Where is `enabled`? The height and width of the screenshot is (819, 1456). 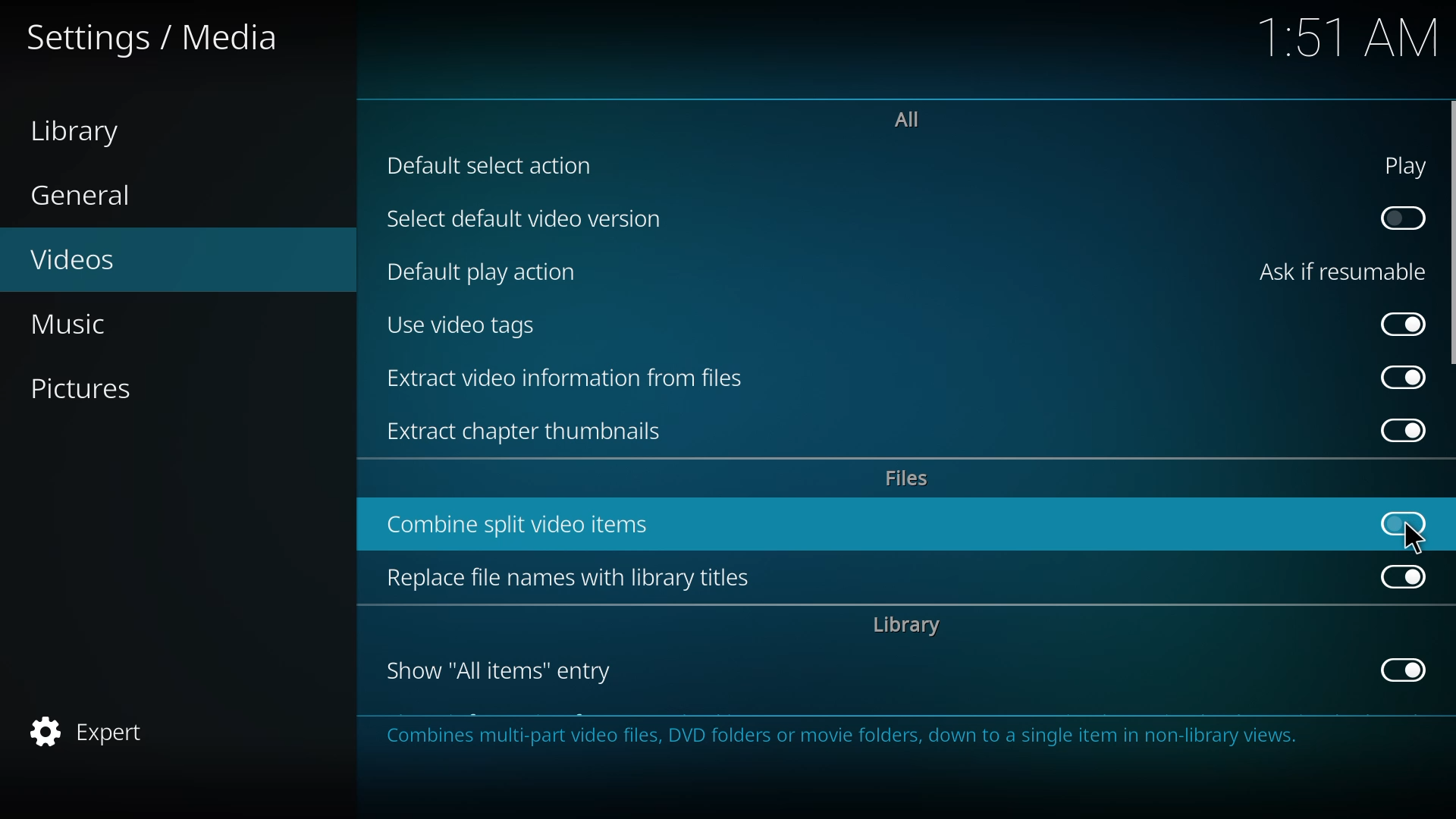 enabled is located at coordinates (1398, 670).